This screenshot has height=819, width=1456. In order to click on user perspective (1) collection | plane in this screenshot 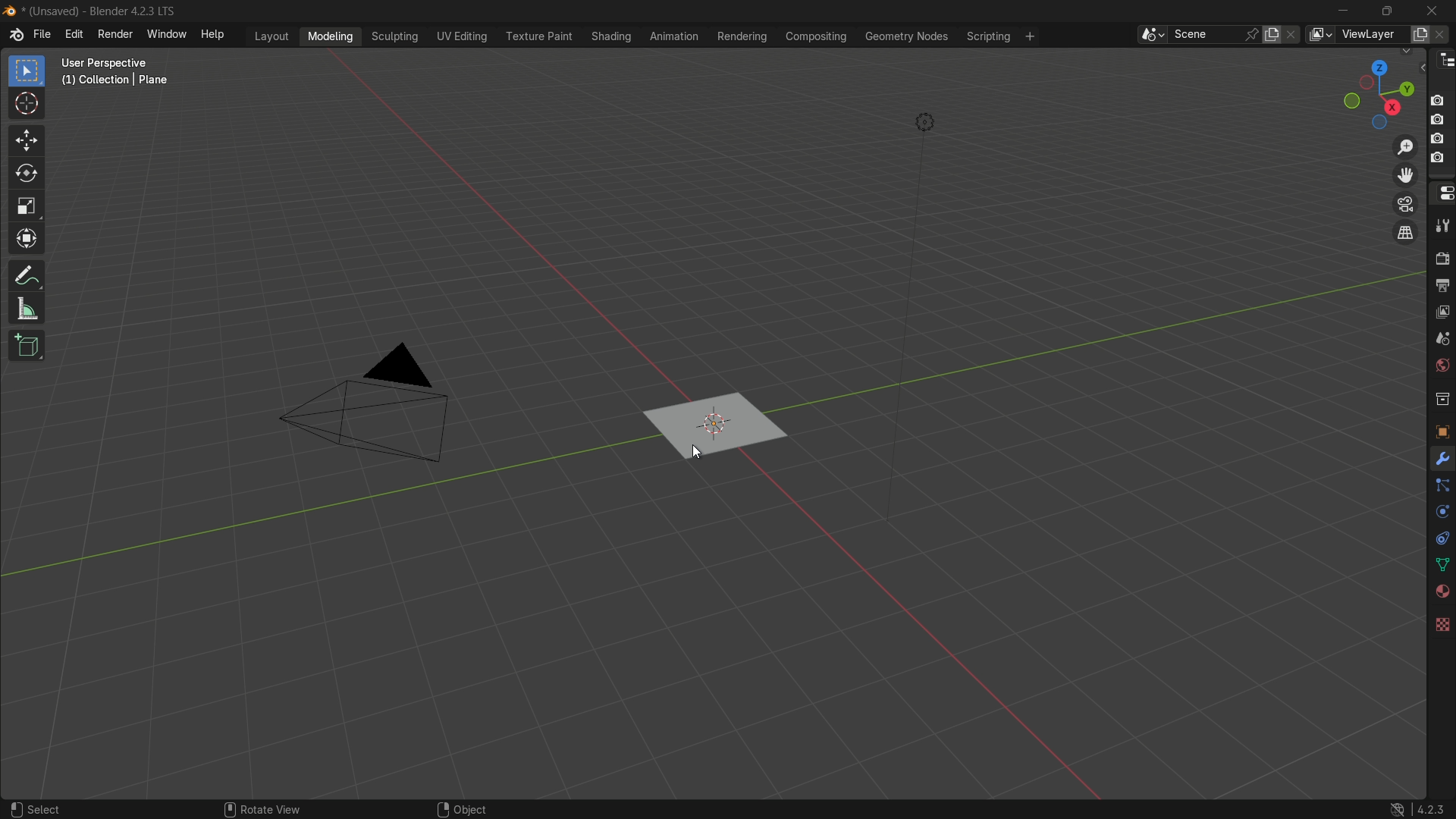, I will do `click(147, 83)`.